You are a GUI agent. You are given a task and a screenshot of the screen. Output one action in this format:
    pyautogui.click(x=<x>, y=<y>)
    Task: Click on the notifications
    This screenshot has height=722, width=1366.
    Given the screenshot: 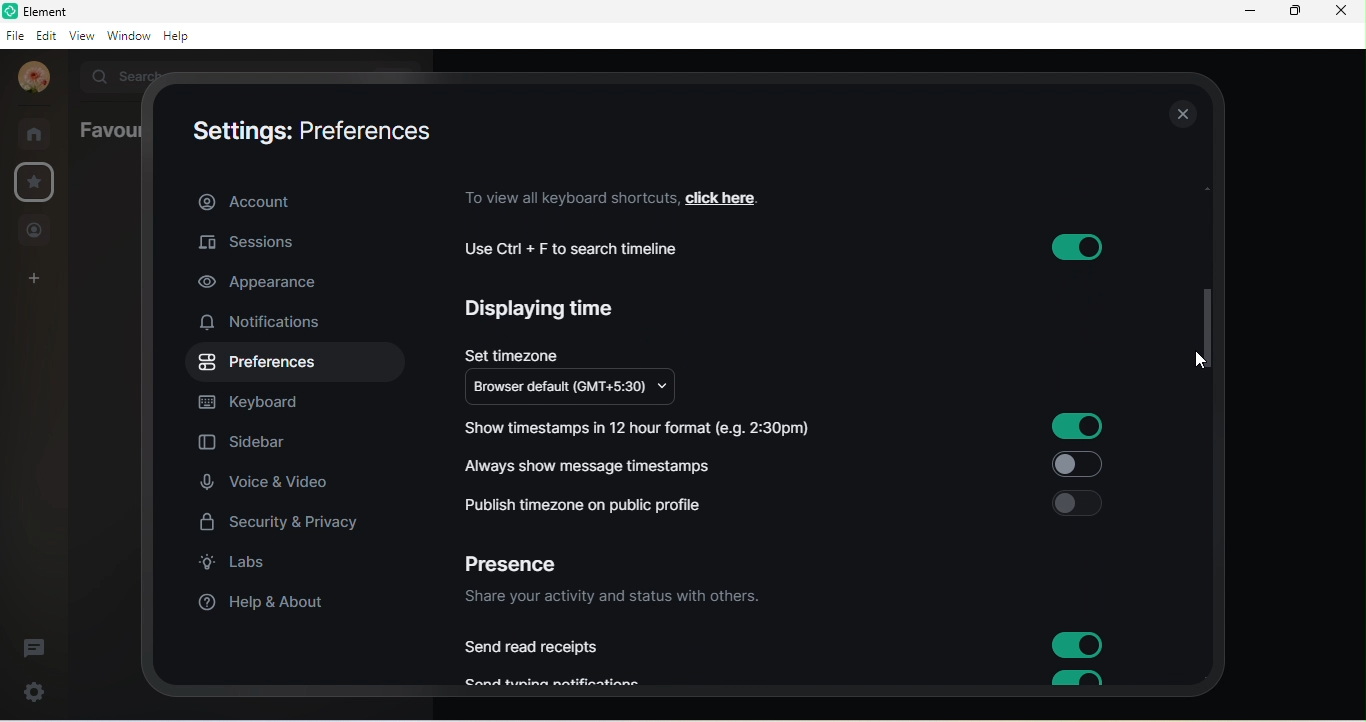 What is the action you would take?
    pyautogui.click(x=270, y=324)
    